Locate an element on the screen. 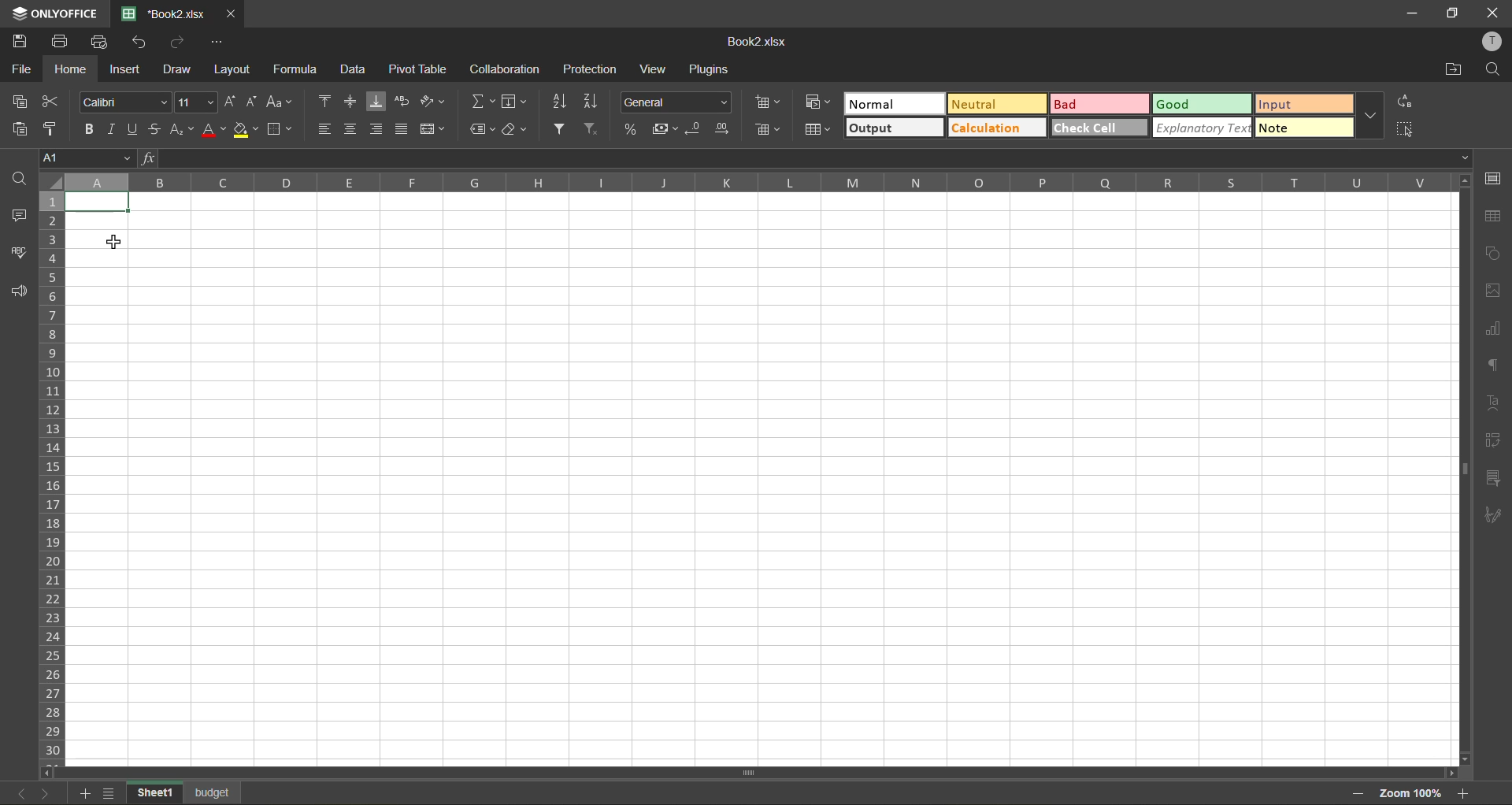 The height and width of the screenshot is (805, 1512). cut is located at coordinates (48, 102).